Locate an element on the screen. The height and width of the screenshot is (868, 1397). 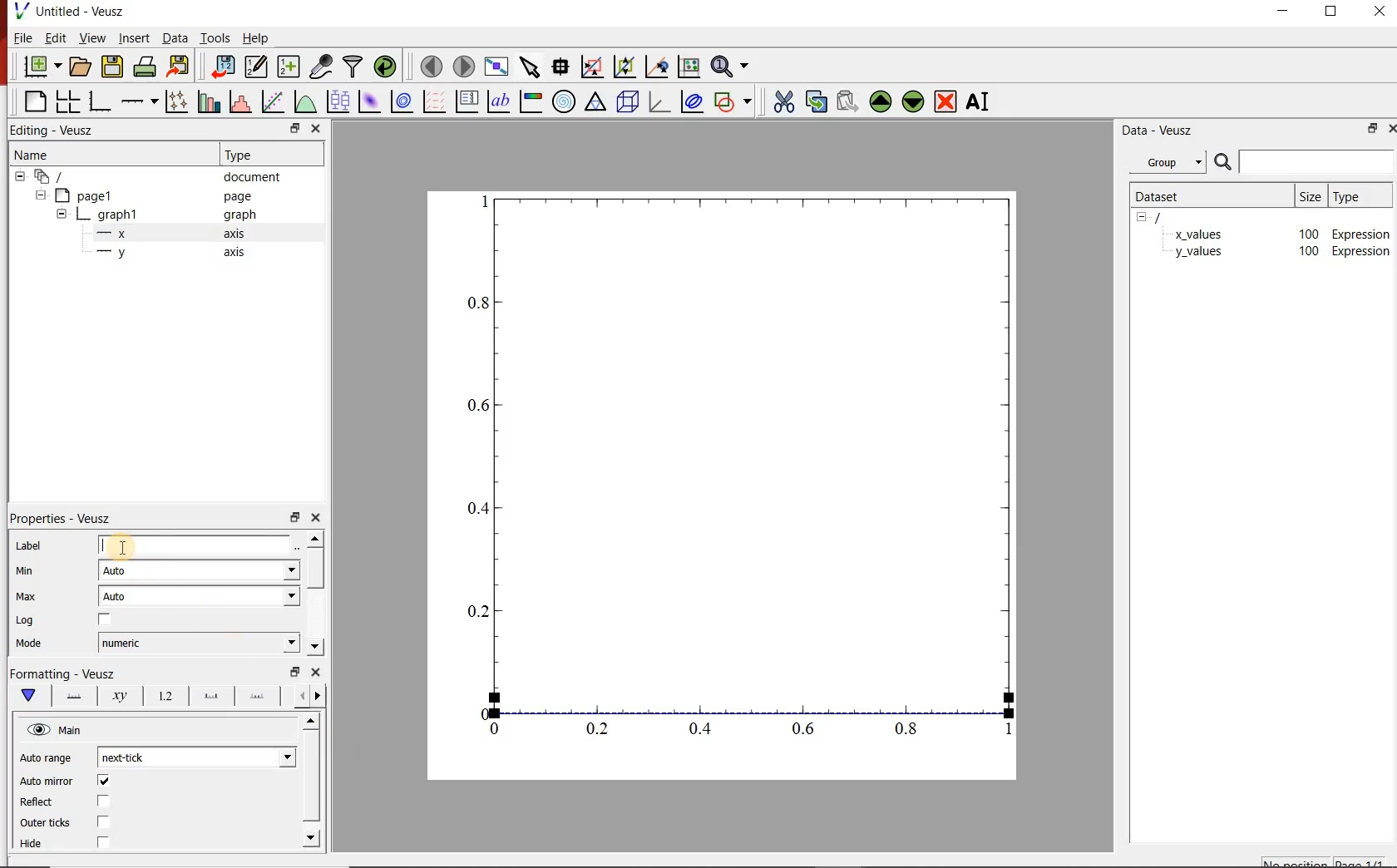
checkbox is located at coordinates (105, 779).